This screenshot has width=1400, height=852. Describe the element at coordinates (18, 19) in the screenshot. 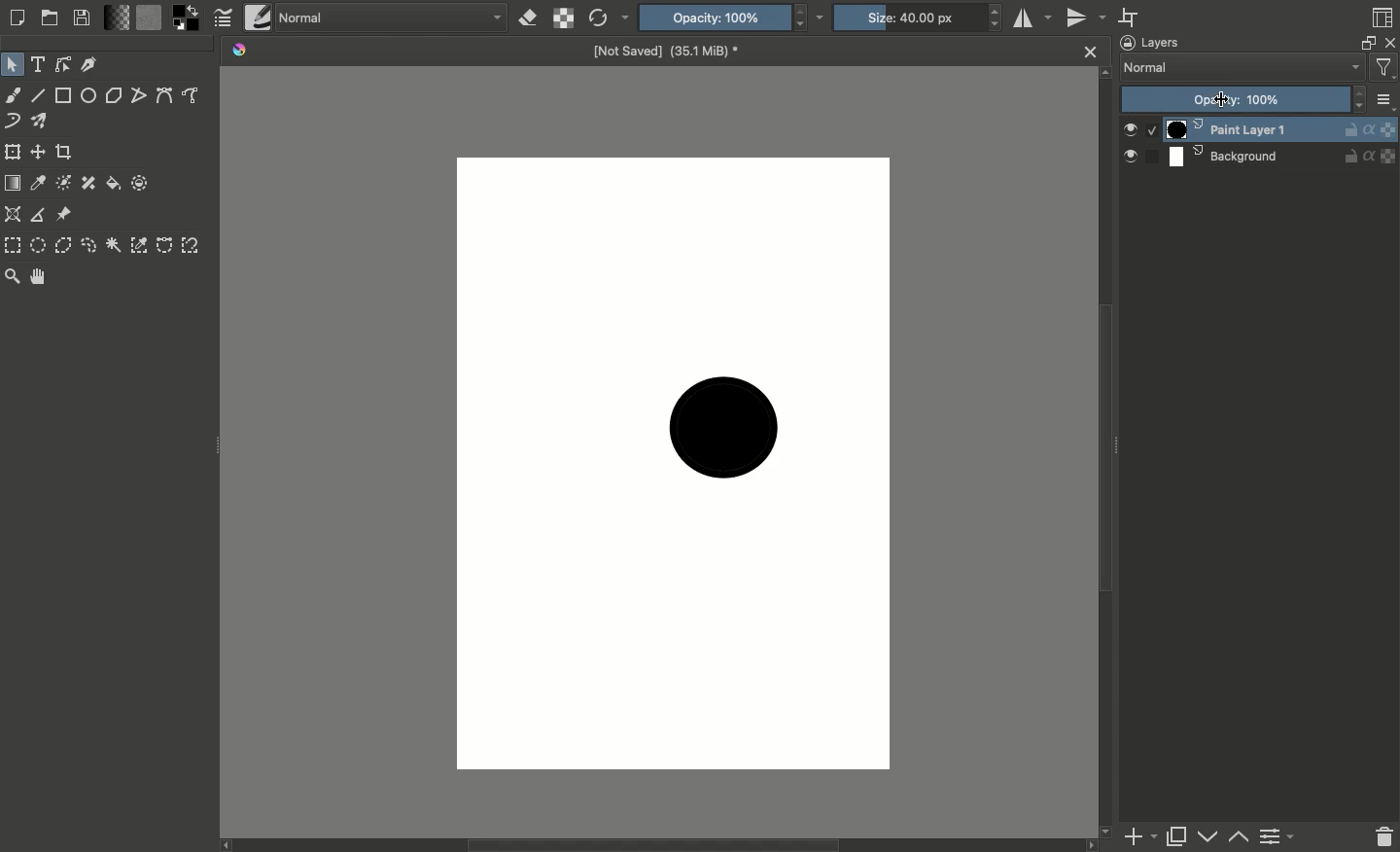

I see `New` at that location.